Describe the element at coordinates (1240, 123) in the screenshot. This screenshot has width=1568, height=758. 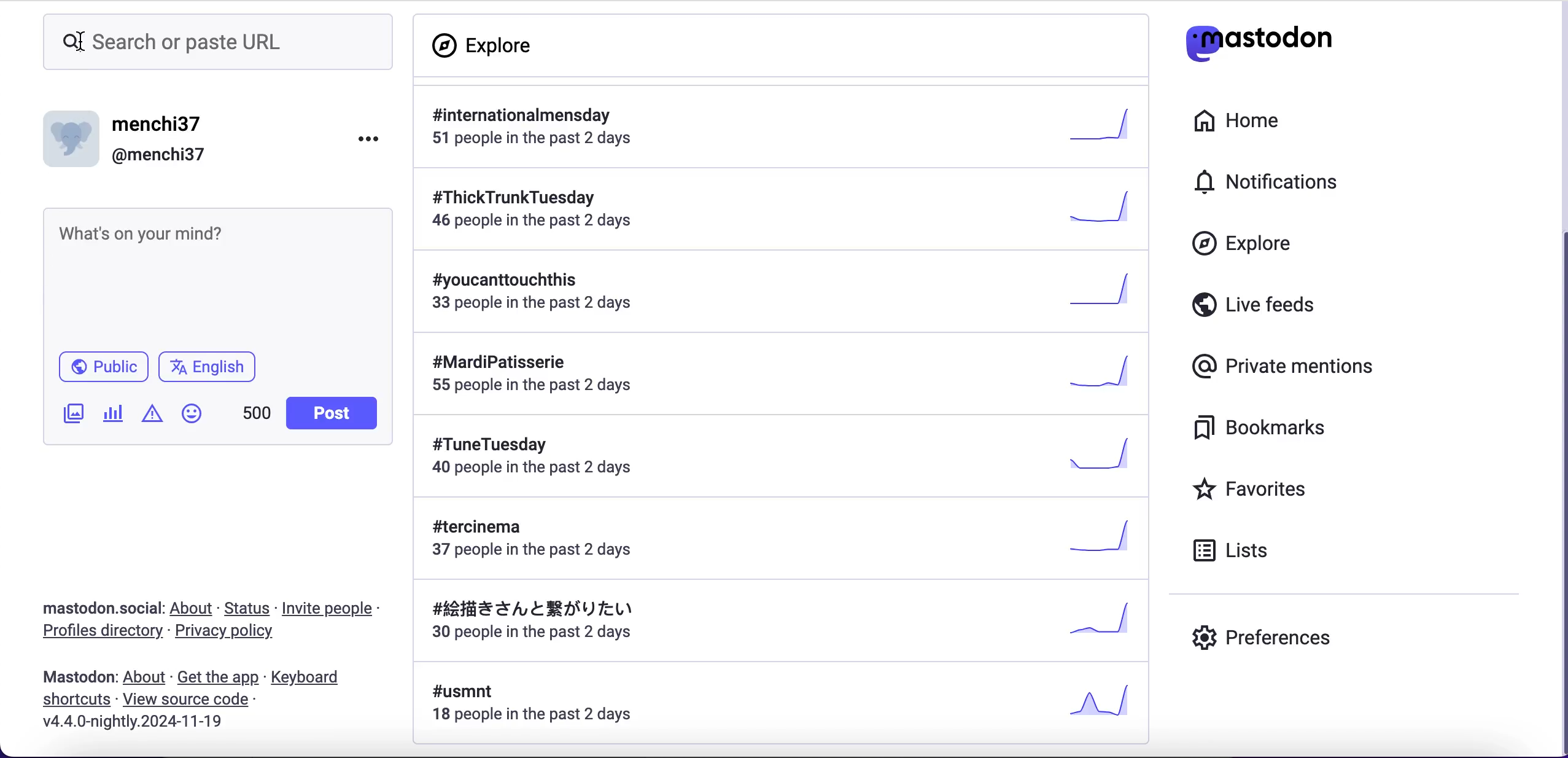
I see `home` at that location.